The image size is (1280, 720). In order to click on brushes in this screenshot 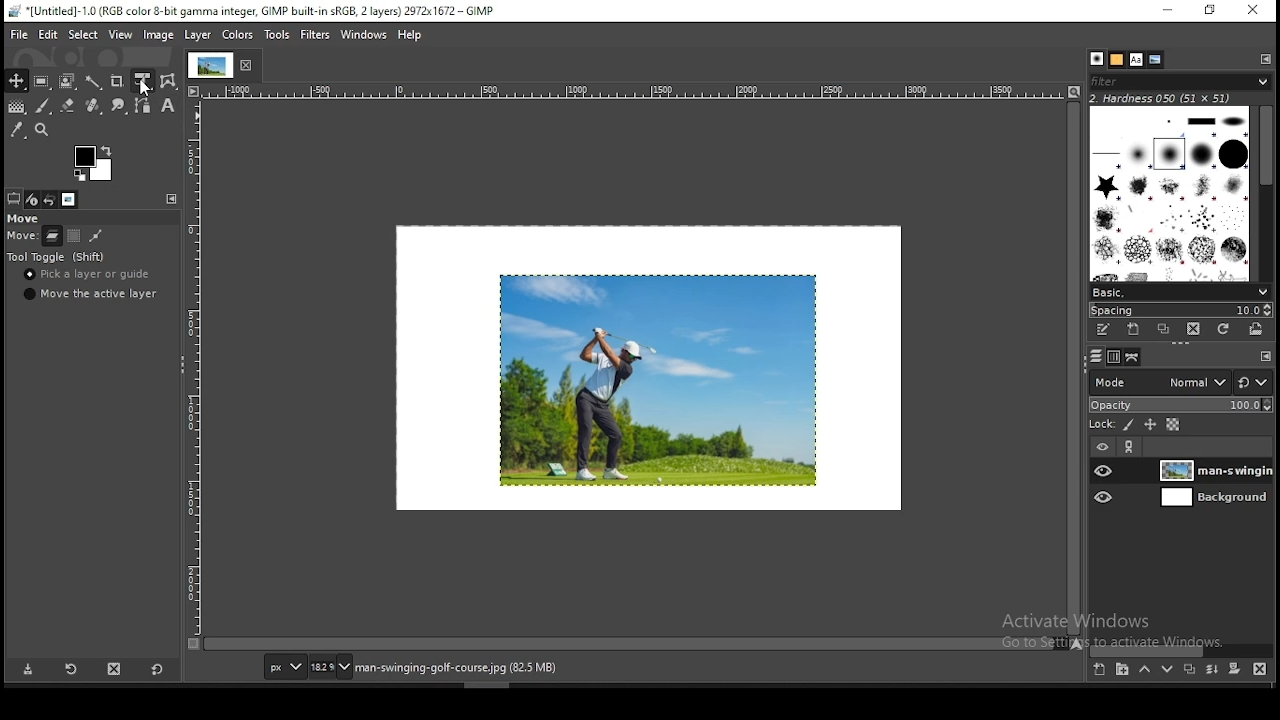, I will do `click(1170, 194)`.